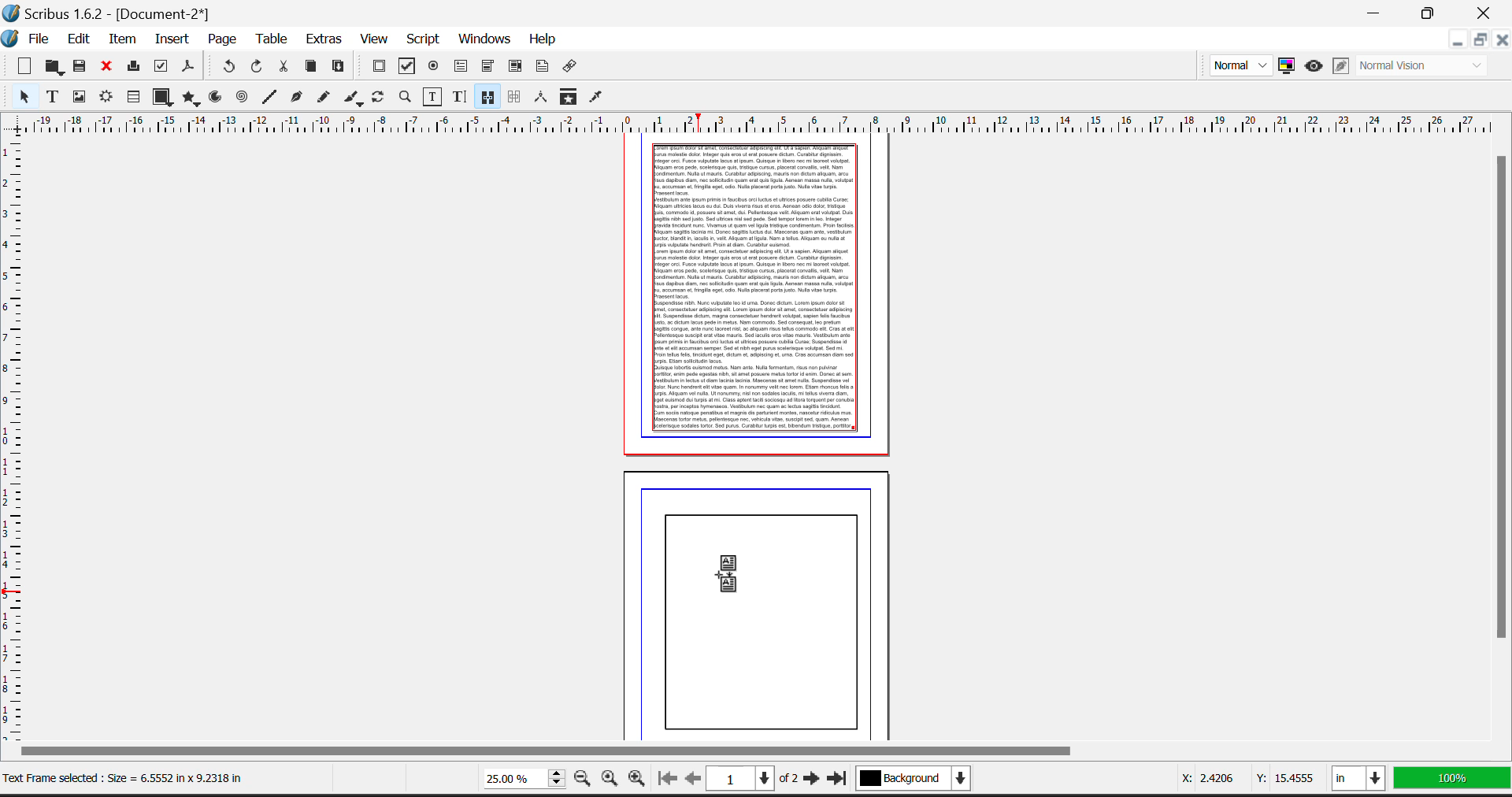 The width and height of the screenshot is (1512, 797). Describe the element at coordinates (272, 41) in the screenshot. I see `Table` at that location.